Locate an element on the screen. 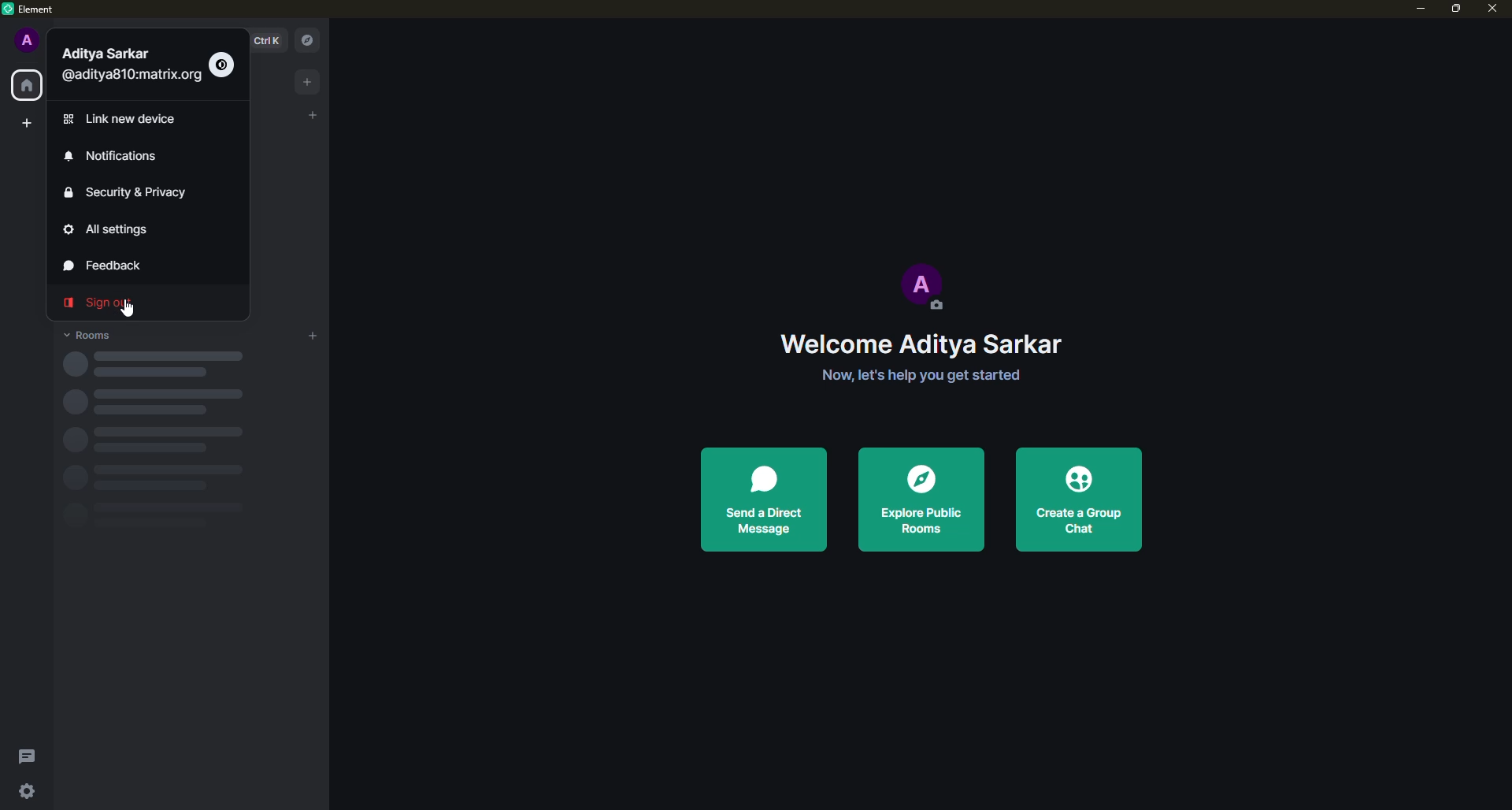  sign out is located at coordinates (95, 304).